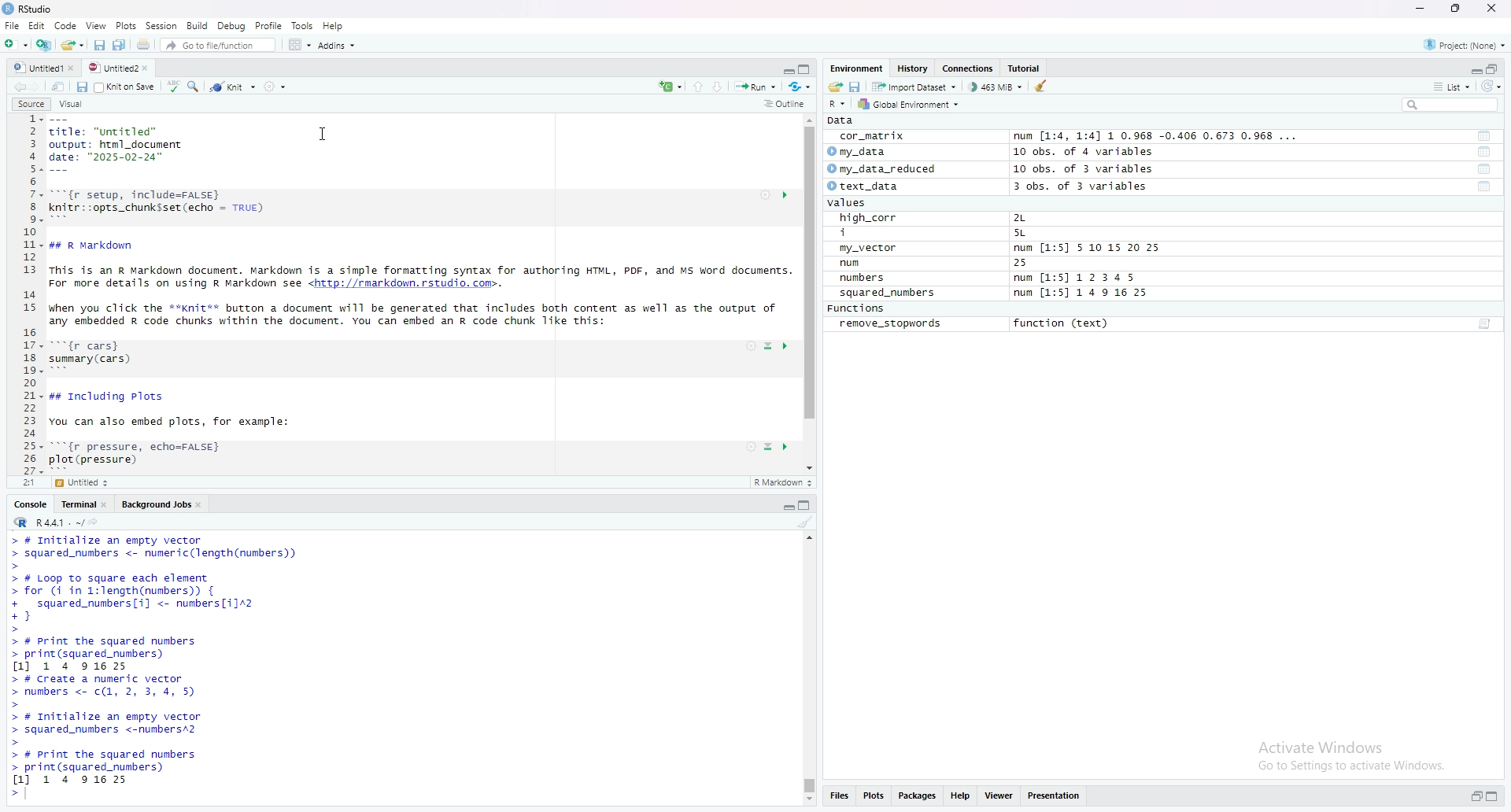  I want to click on Background job, so click(155, 506).